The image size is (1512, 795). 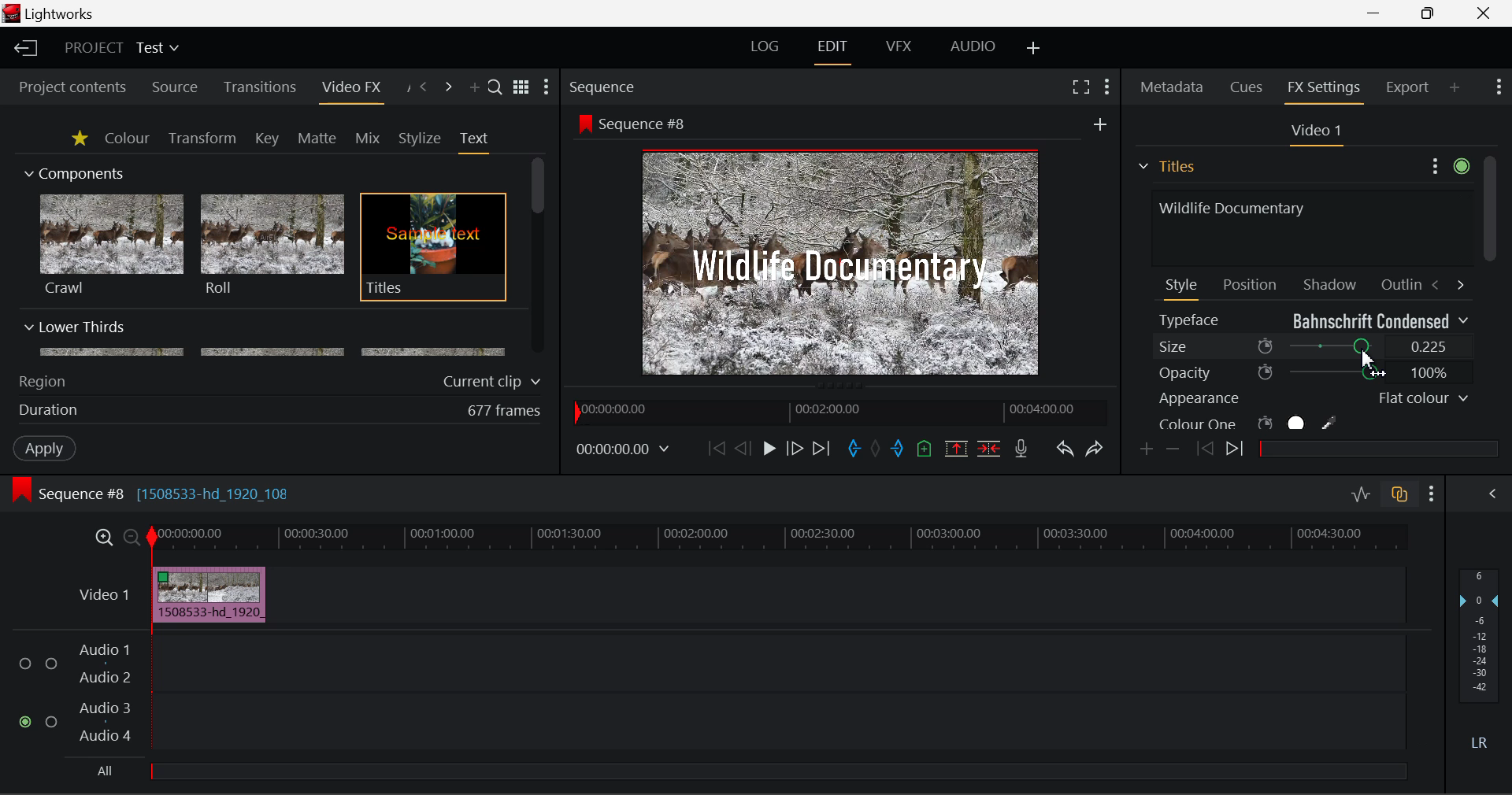 I want to click on Previous keyframes, so click(x=1203, y=449).